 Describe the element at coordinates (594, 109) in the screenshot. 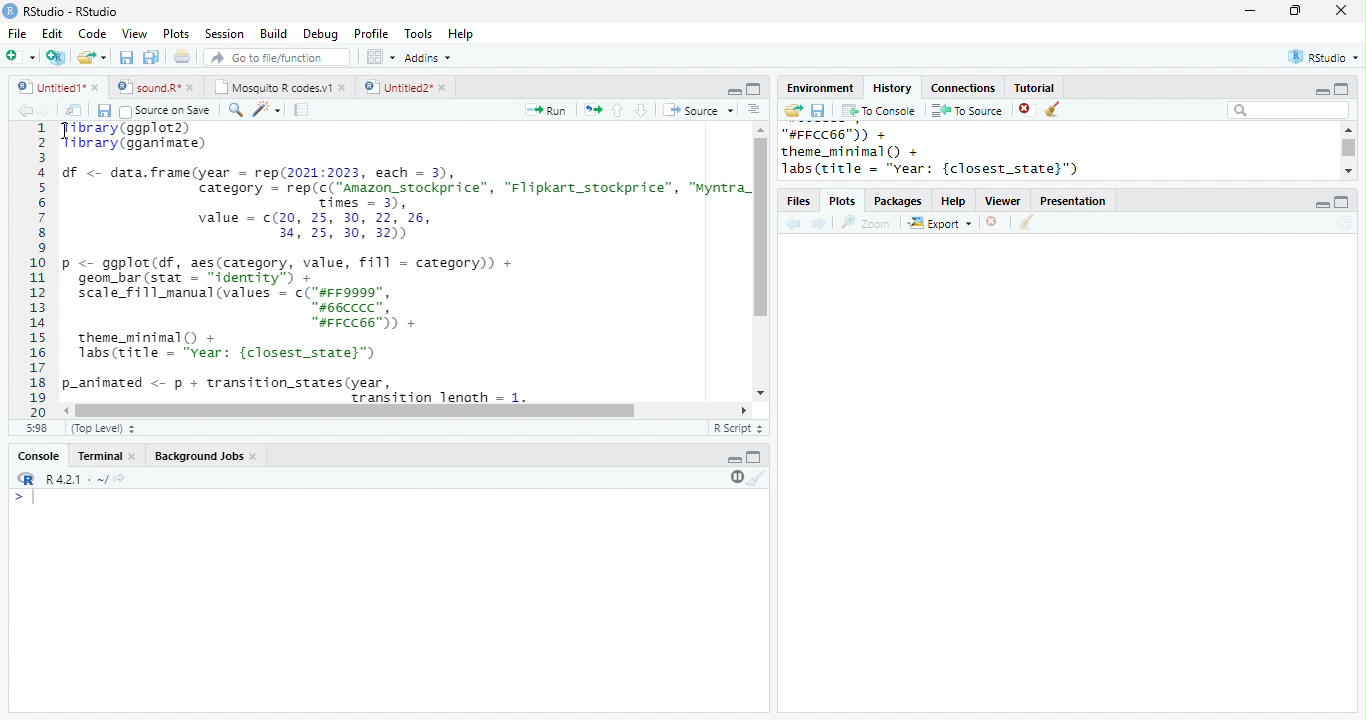

I see `rerun` at that location.